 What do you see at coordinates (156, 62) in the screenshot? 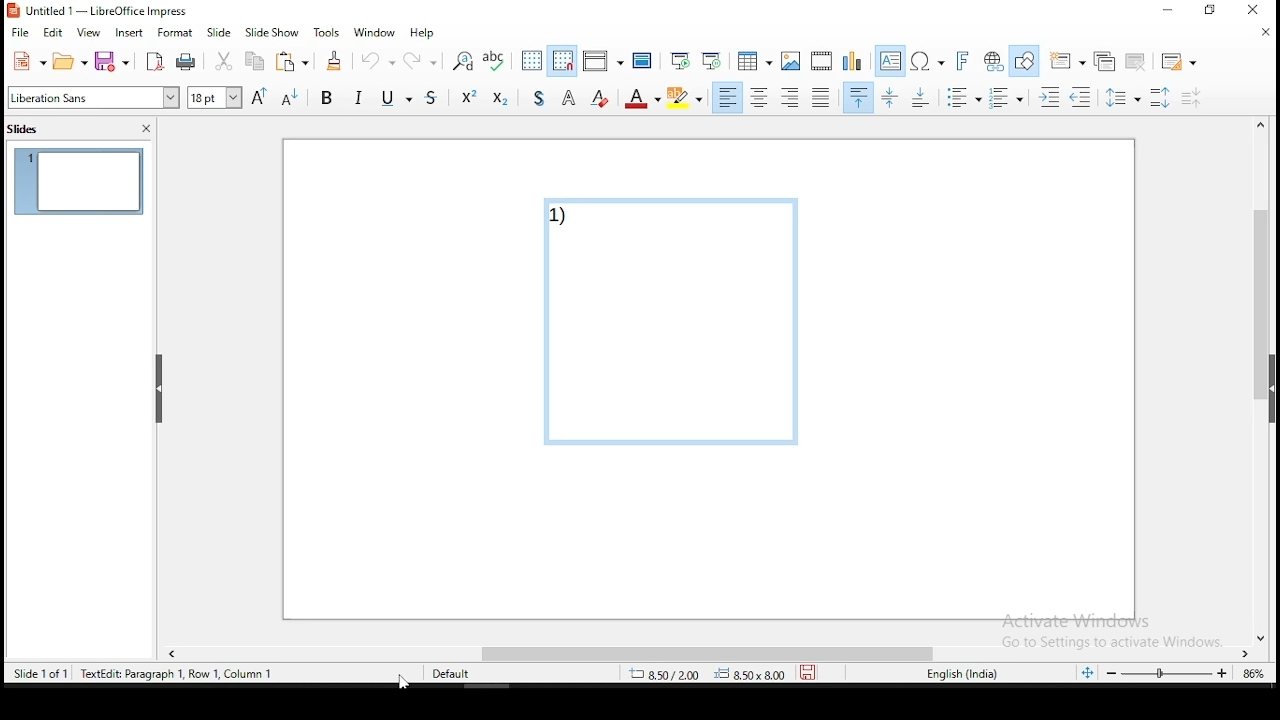
I see `export as pdf` at bounding box center [156, 62].